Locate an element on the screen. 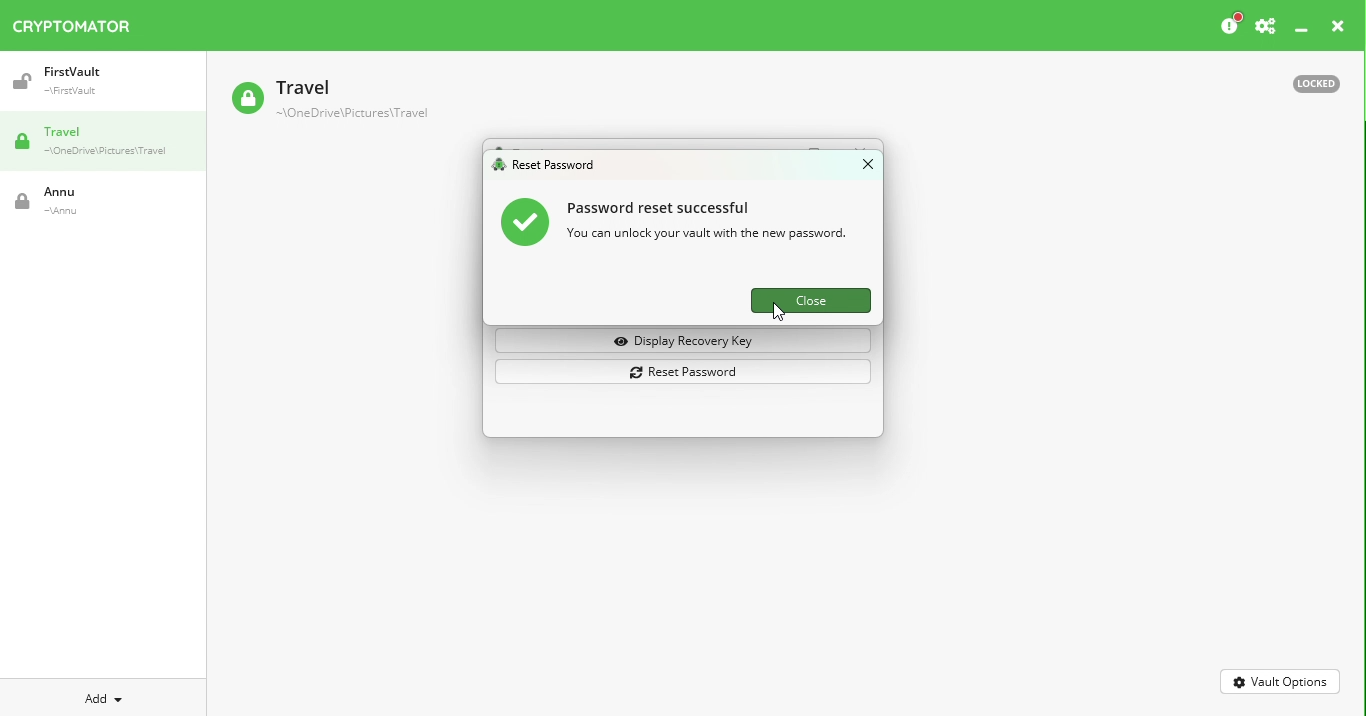 The width and height of the screenshot is (1366, 716). Close is located at coordinates (859, 168).